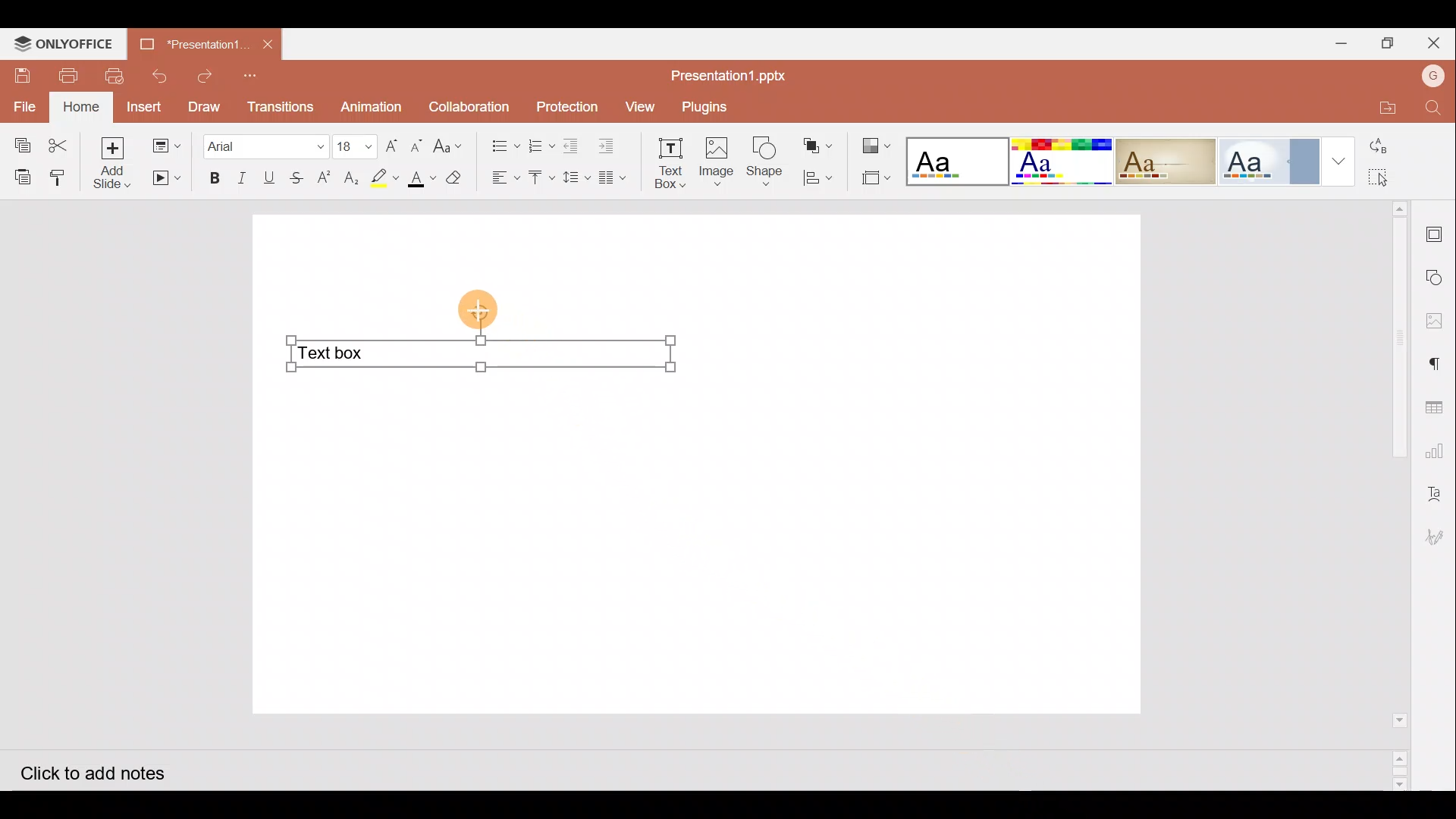 The width and height of the screenshot is (1456, 819). I want to click on Cut, so click(63, 142).